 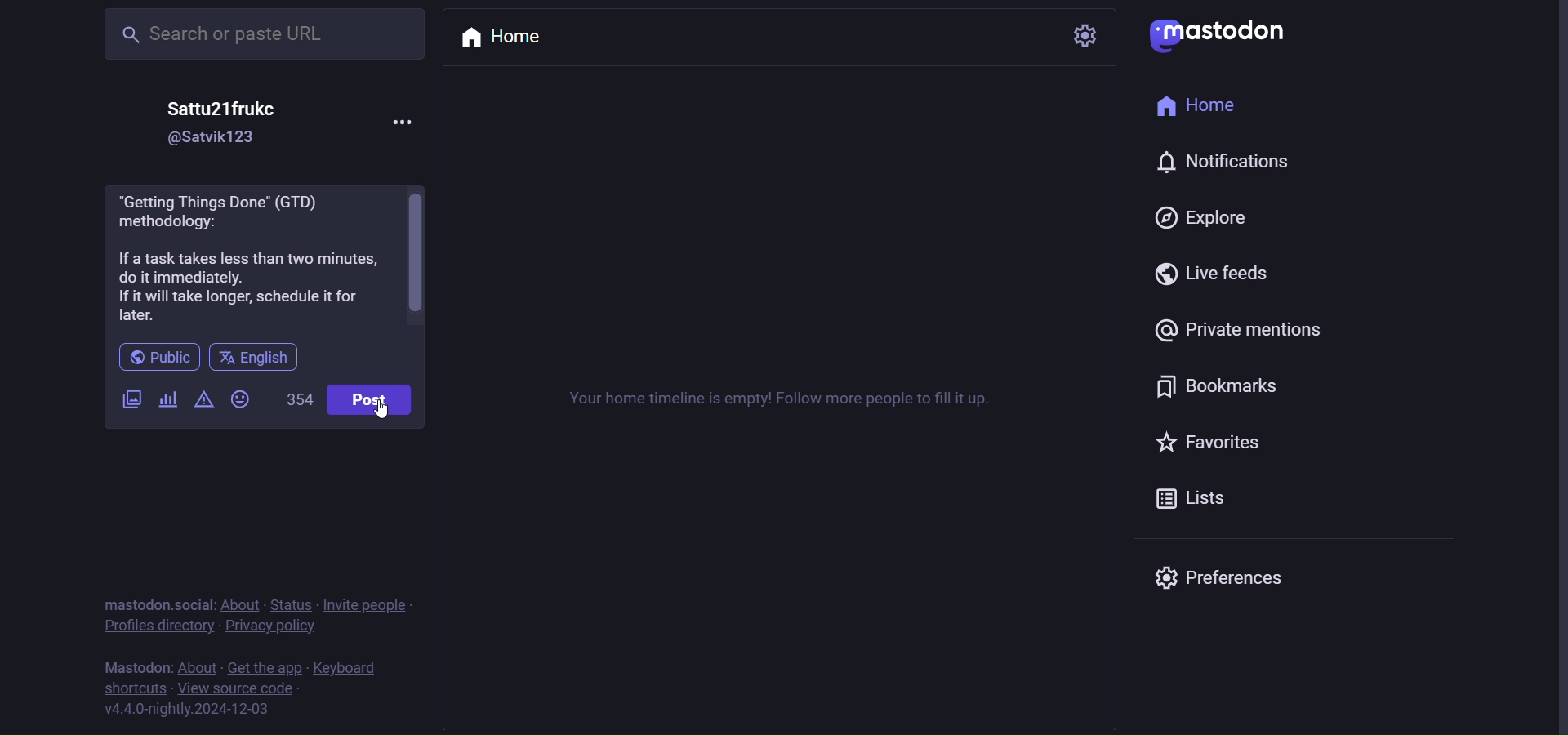 I want to click on favorites, so click(x=1210, y=446).